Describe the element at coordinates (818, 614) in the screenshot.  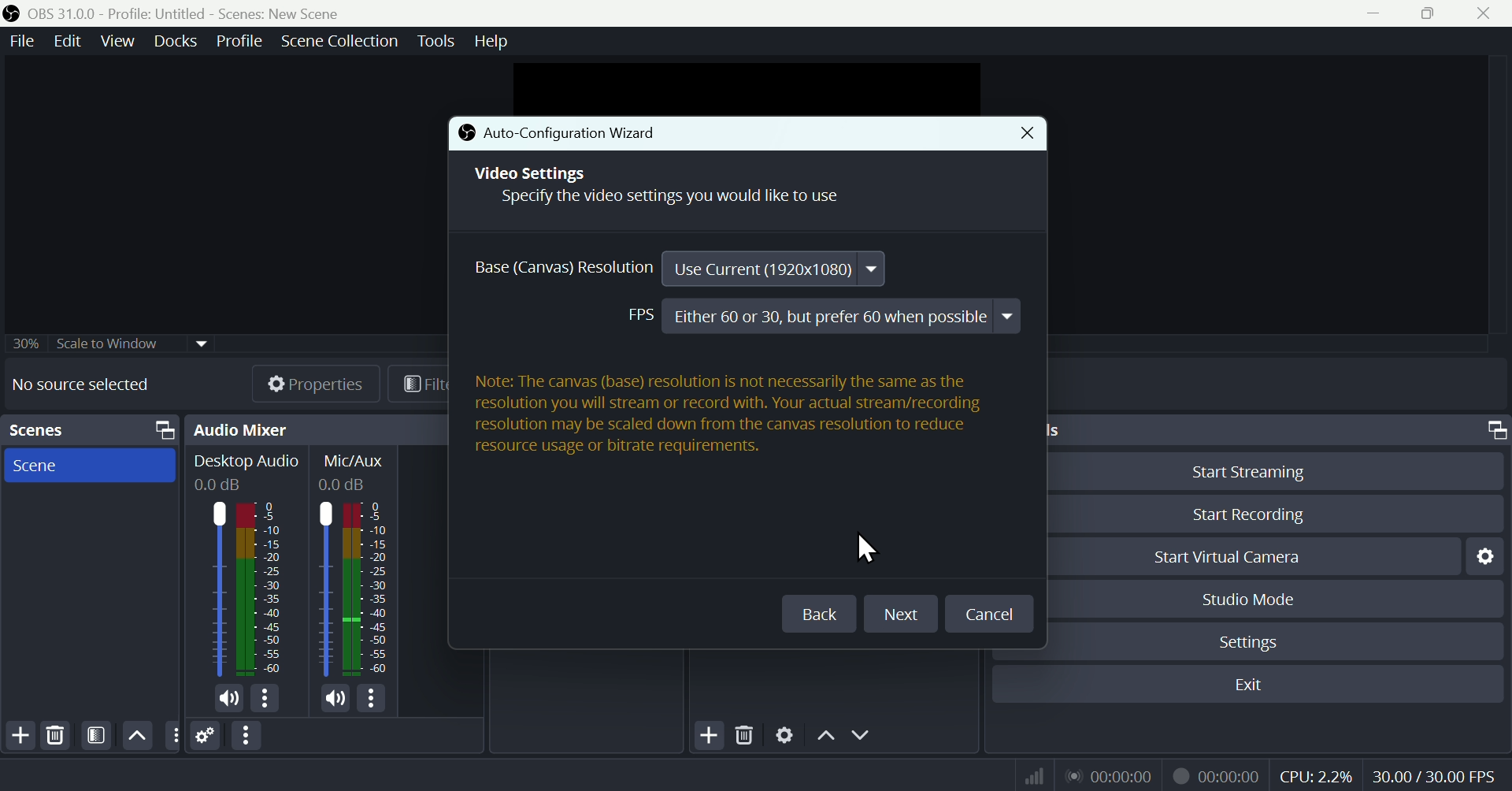
I see `Back` at that location.